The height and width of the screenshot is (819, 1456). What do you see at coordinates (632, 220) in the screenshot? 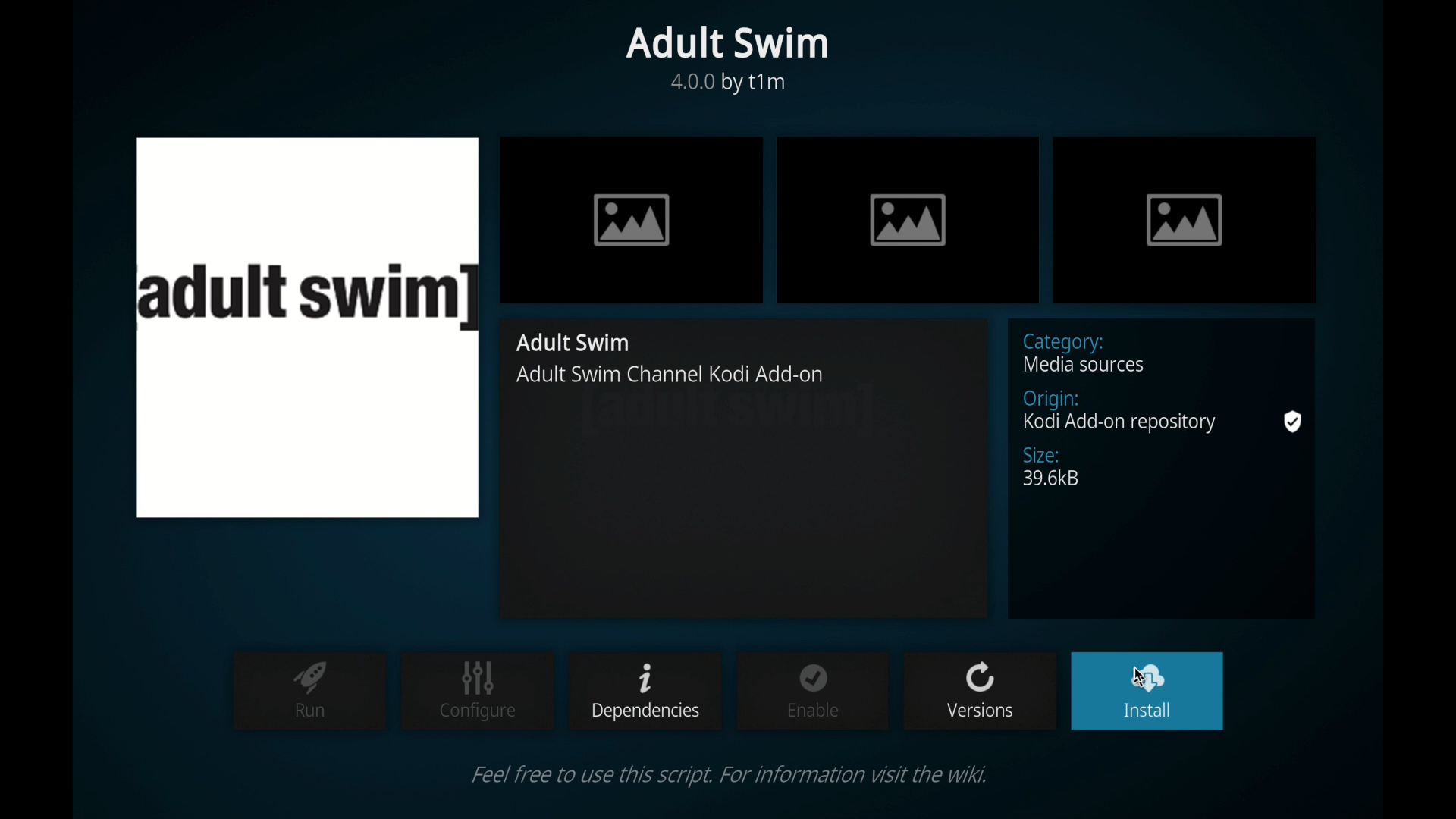
I see `image icon` at bounding box center [632, 220].